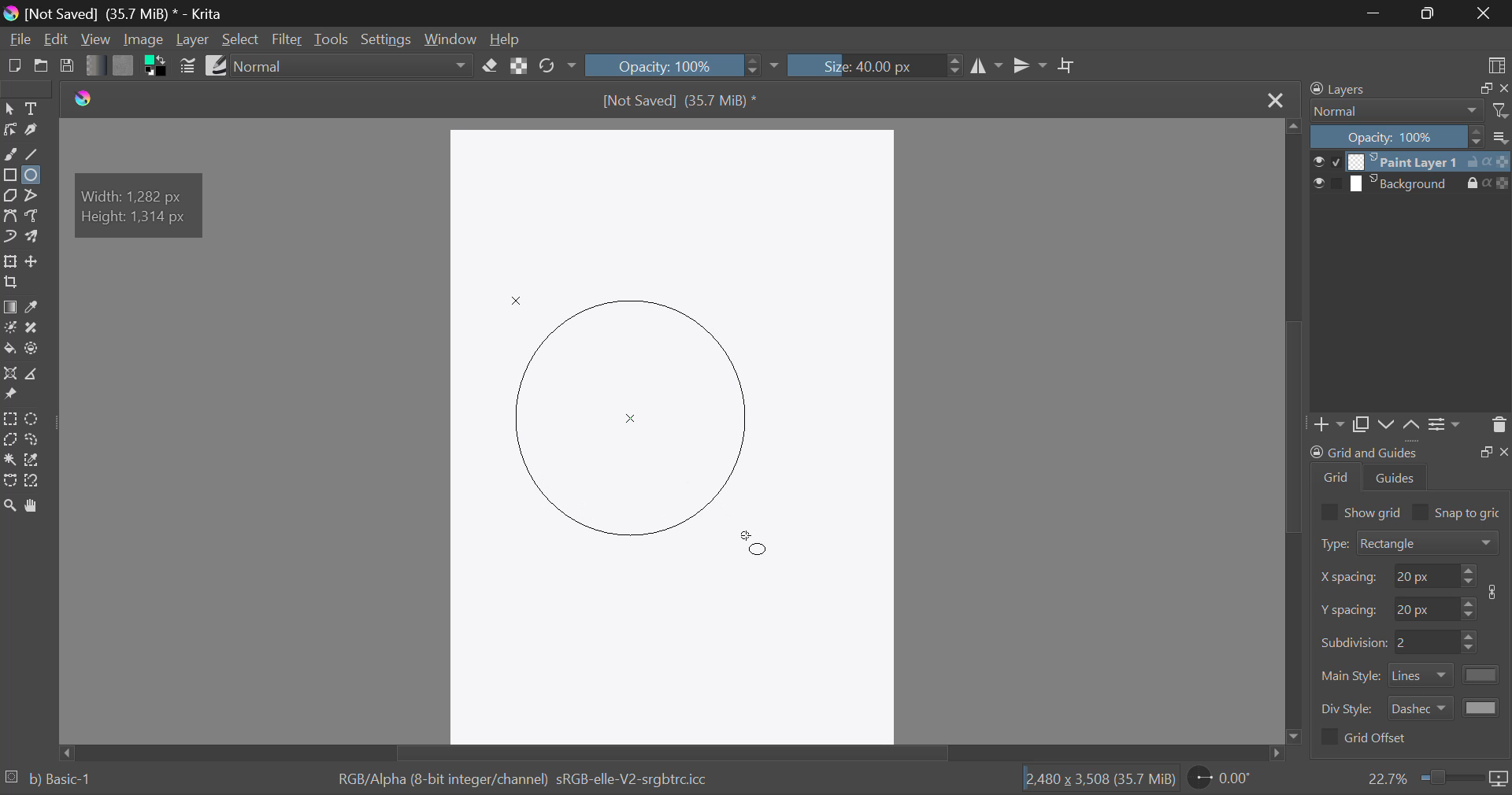  Describe the element at coordinates (35, 306) in the screenshot. I see `Eyedropper` at that location.